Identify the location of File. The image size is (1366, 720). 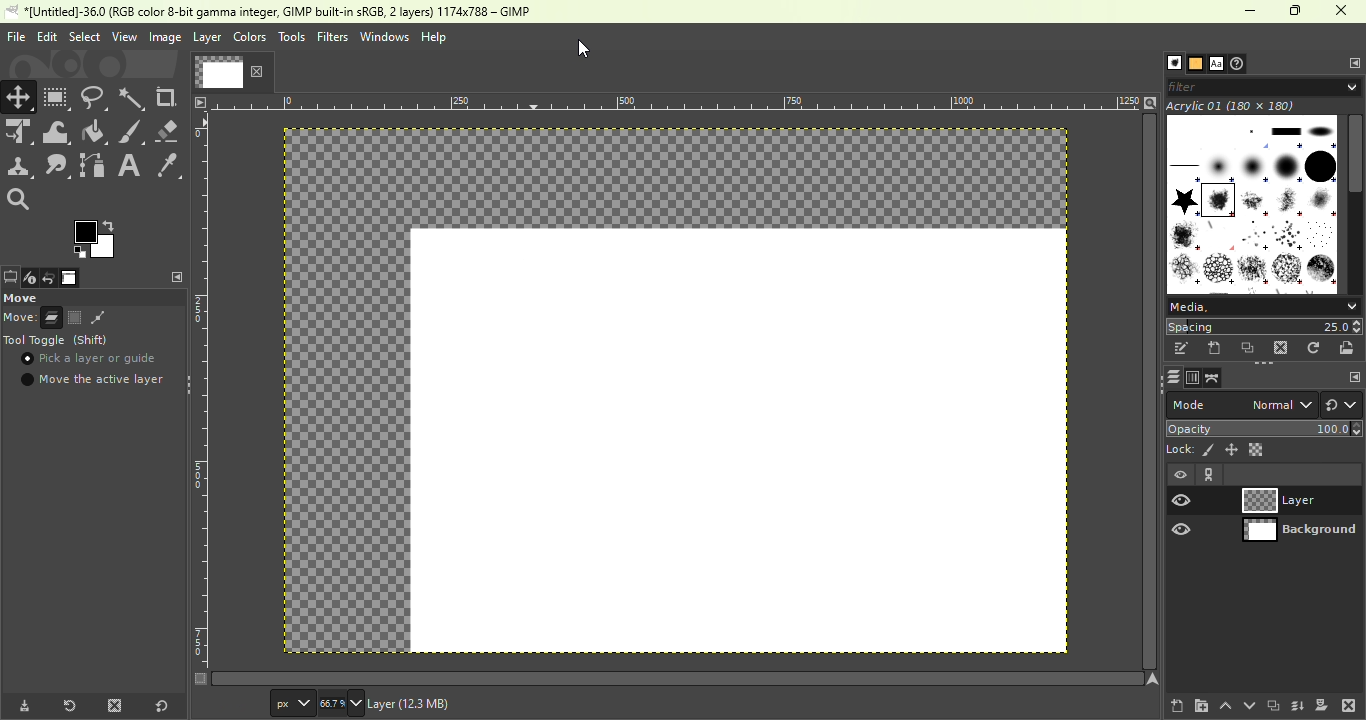
(14, 36).